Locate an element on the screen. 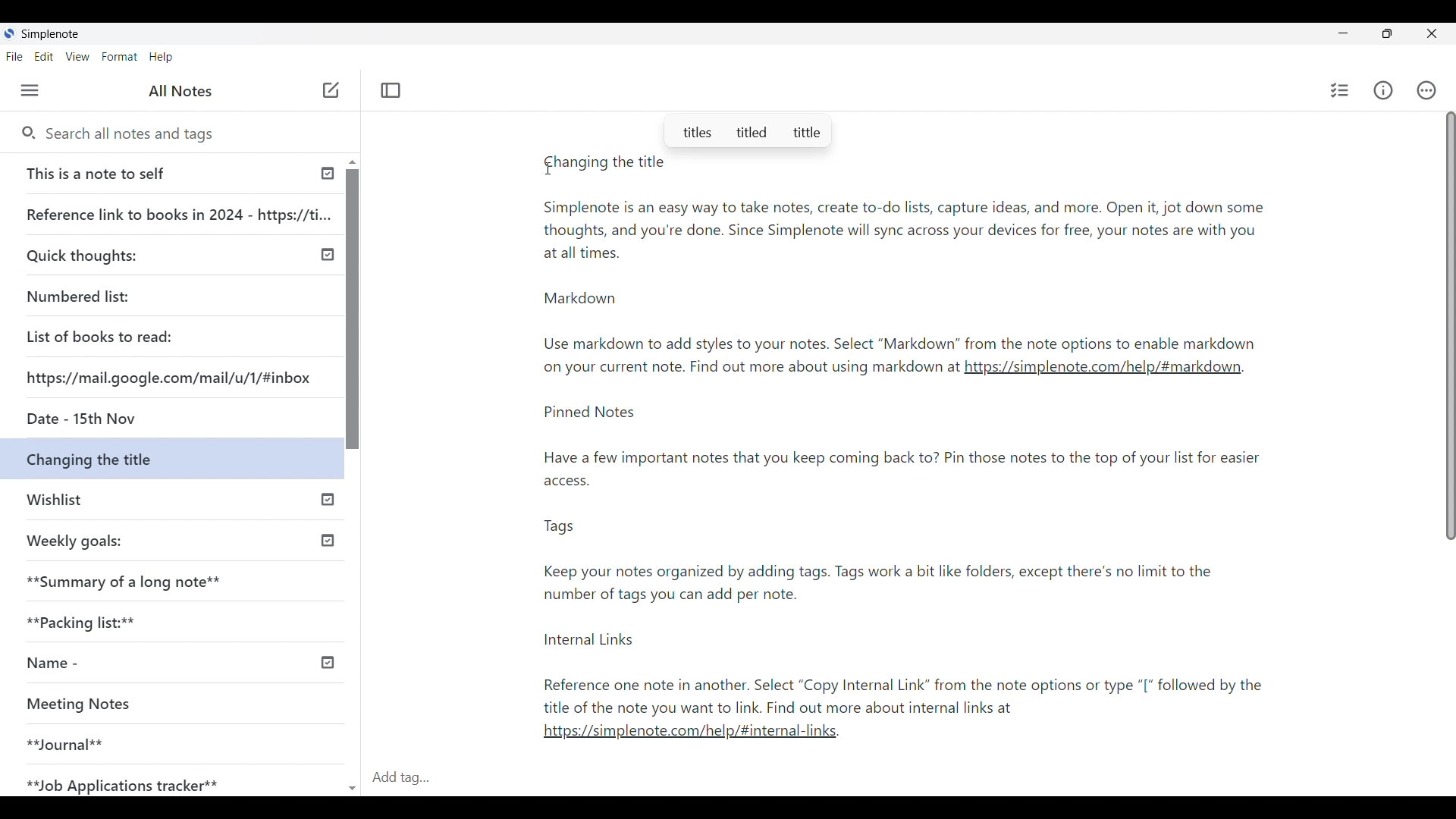 This screenshot has width=1456, height=819. Note reordered and text changed is located at coordinates (174, 457).